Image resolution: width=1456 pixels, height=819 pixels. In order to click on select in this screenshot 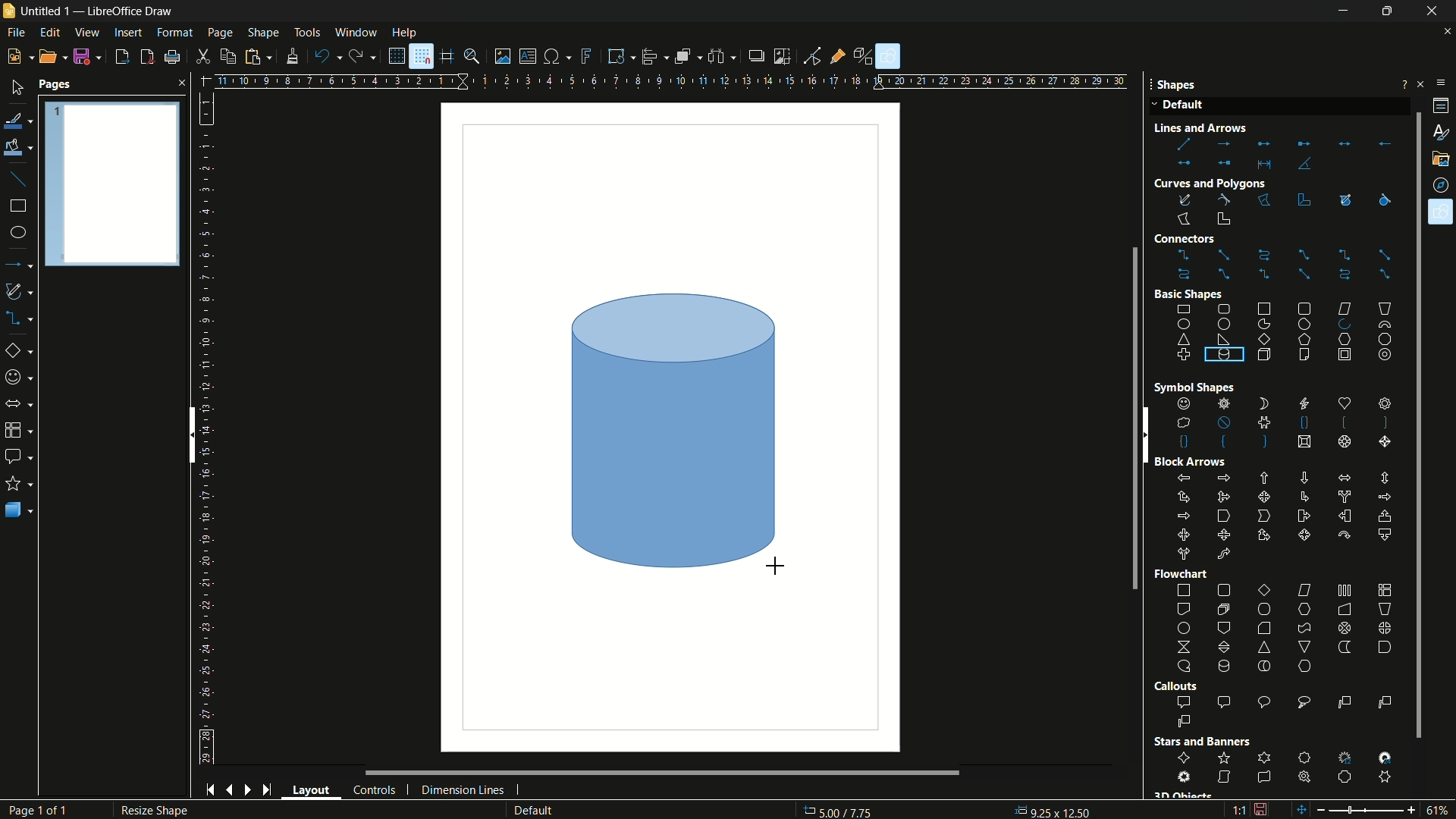, I will do `click(17, 87)`.